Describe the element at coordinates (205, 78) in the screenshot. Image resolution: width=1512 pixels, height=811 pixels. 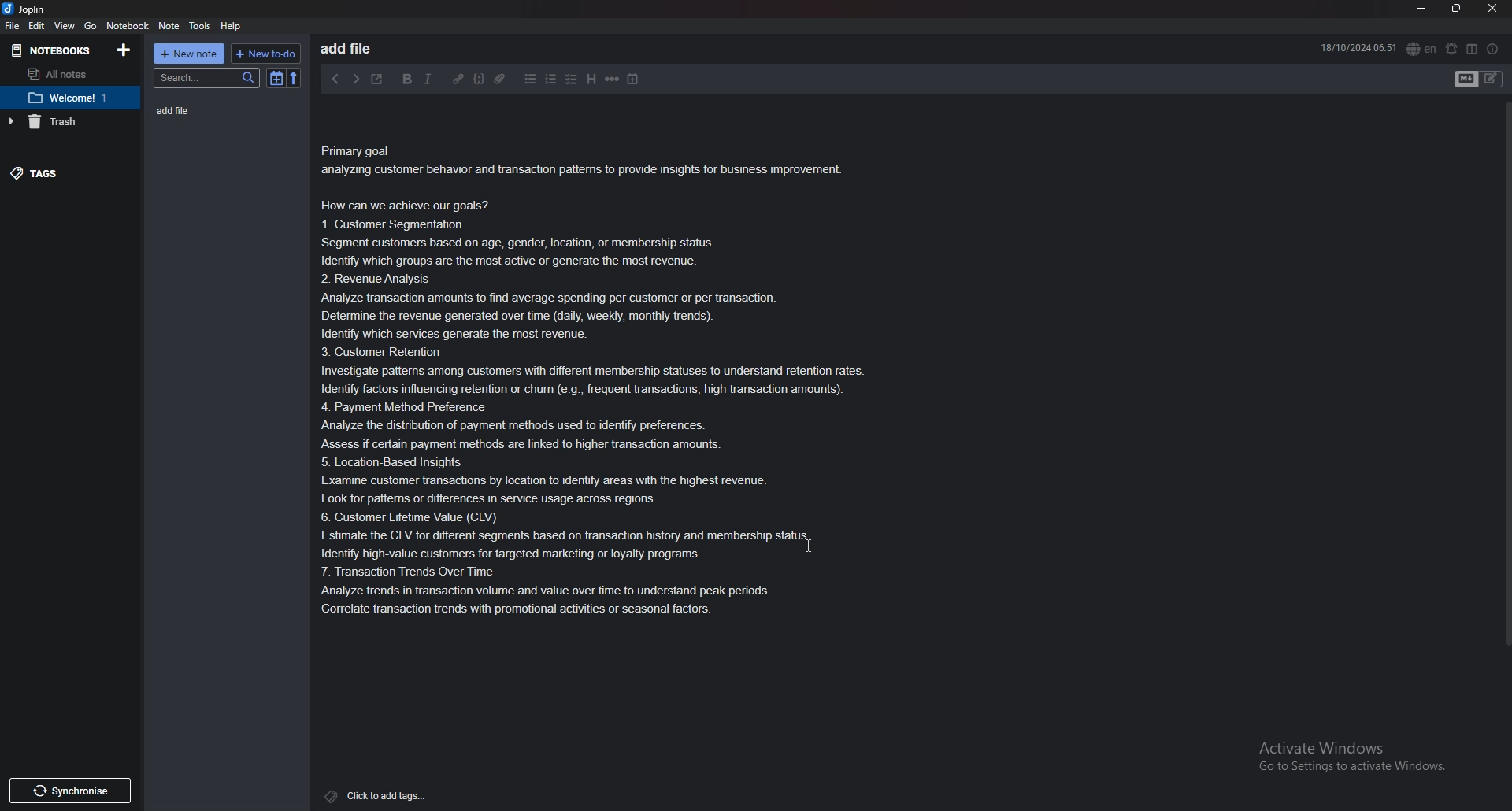
I see `Search` at that location.